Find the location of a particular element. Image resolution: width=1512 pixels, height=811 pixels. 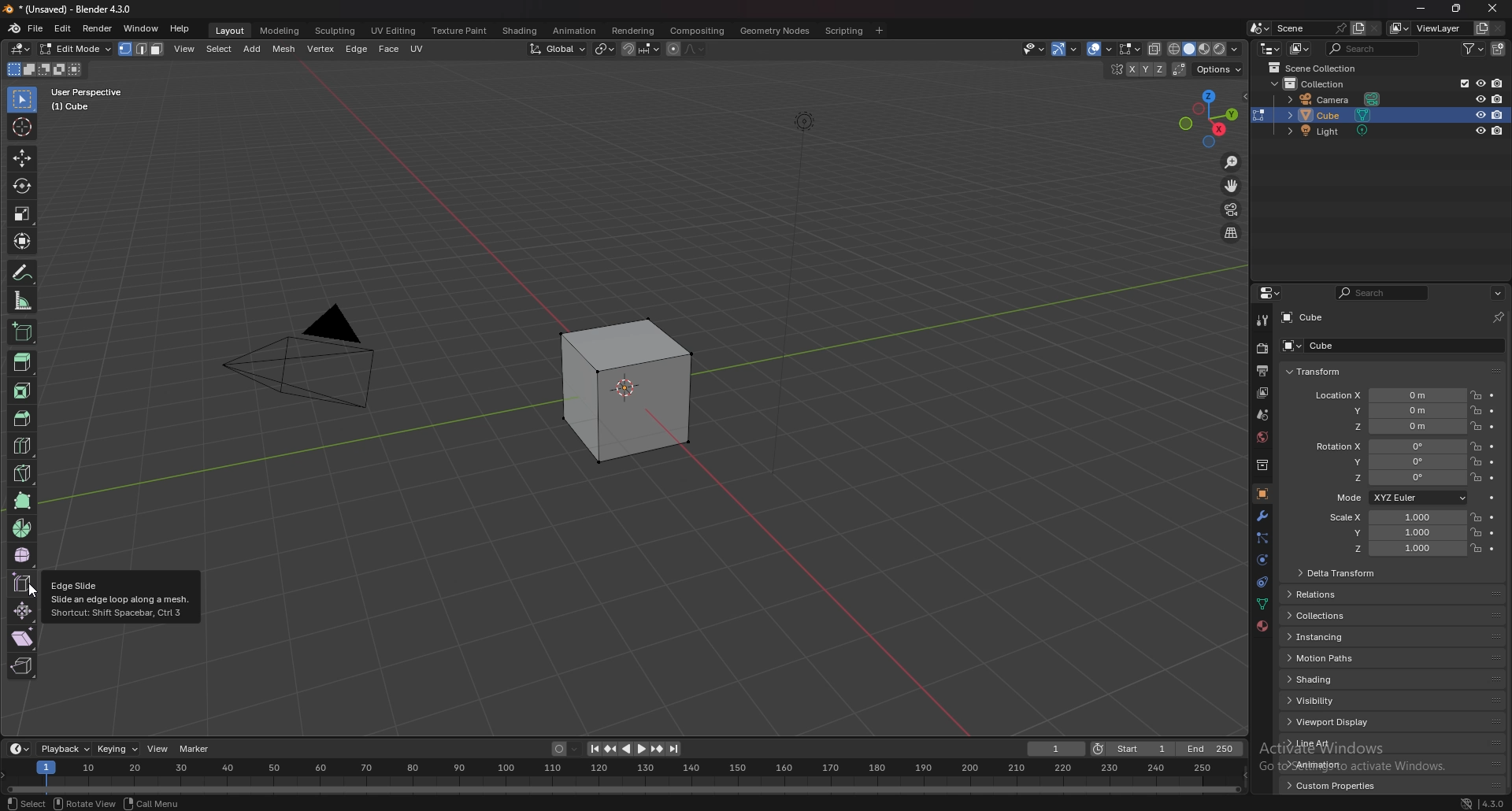

scale y is located at coordinates (1396, 533).